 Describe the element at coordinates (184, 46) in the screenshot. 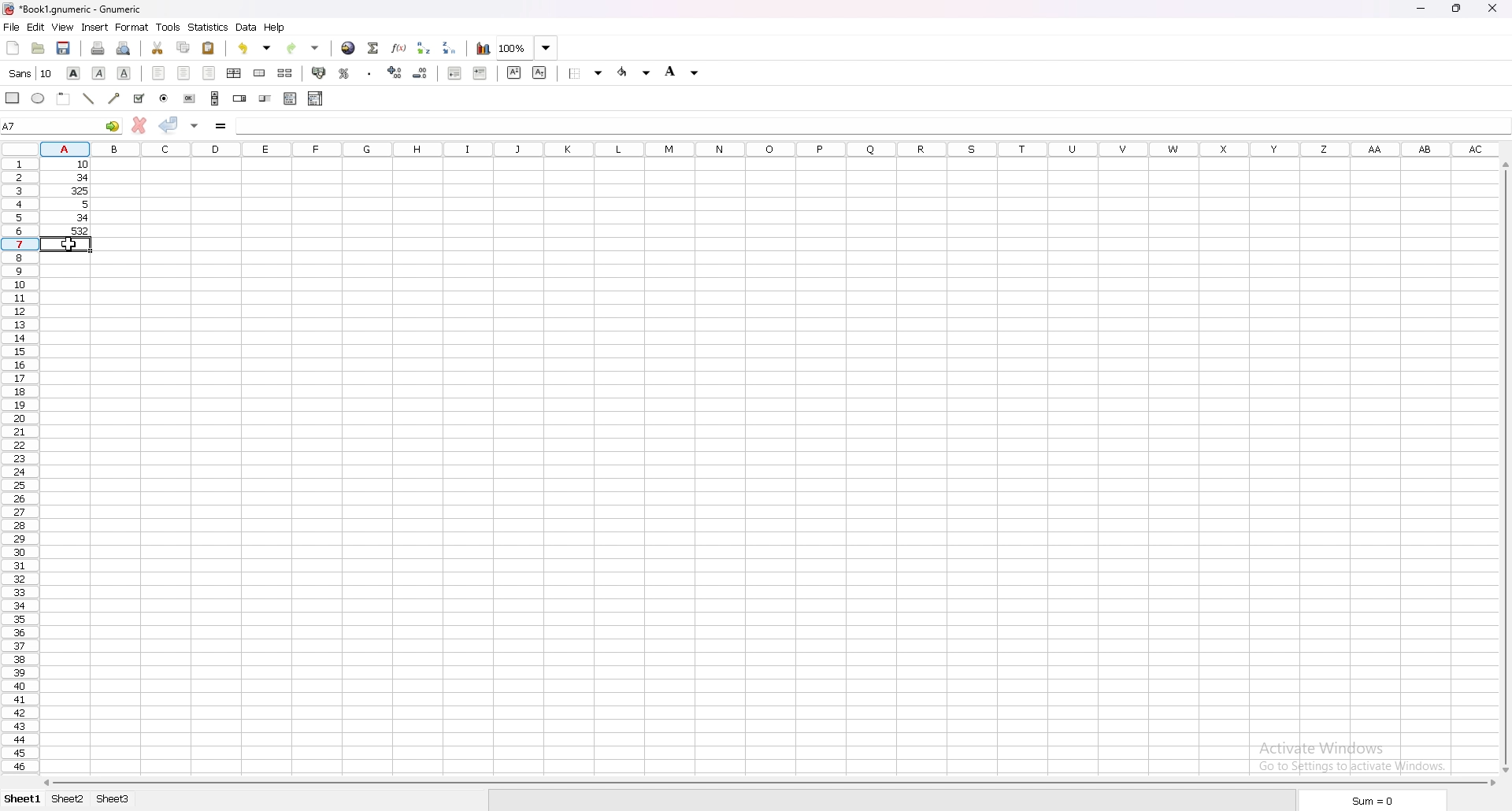

I see `copy` at that location.